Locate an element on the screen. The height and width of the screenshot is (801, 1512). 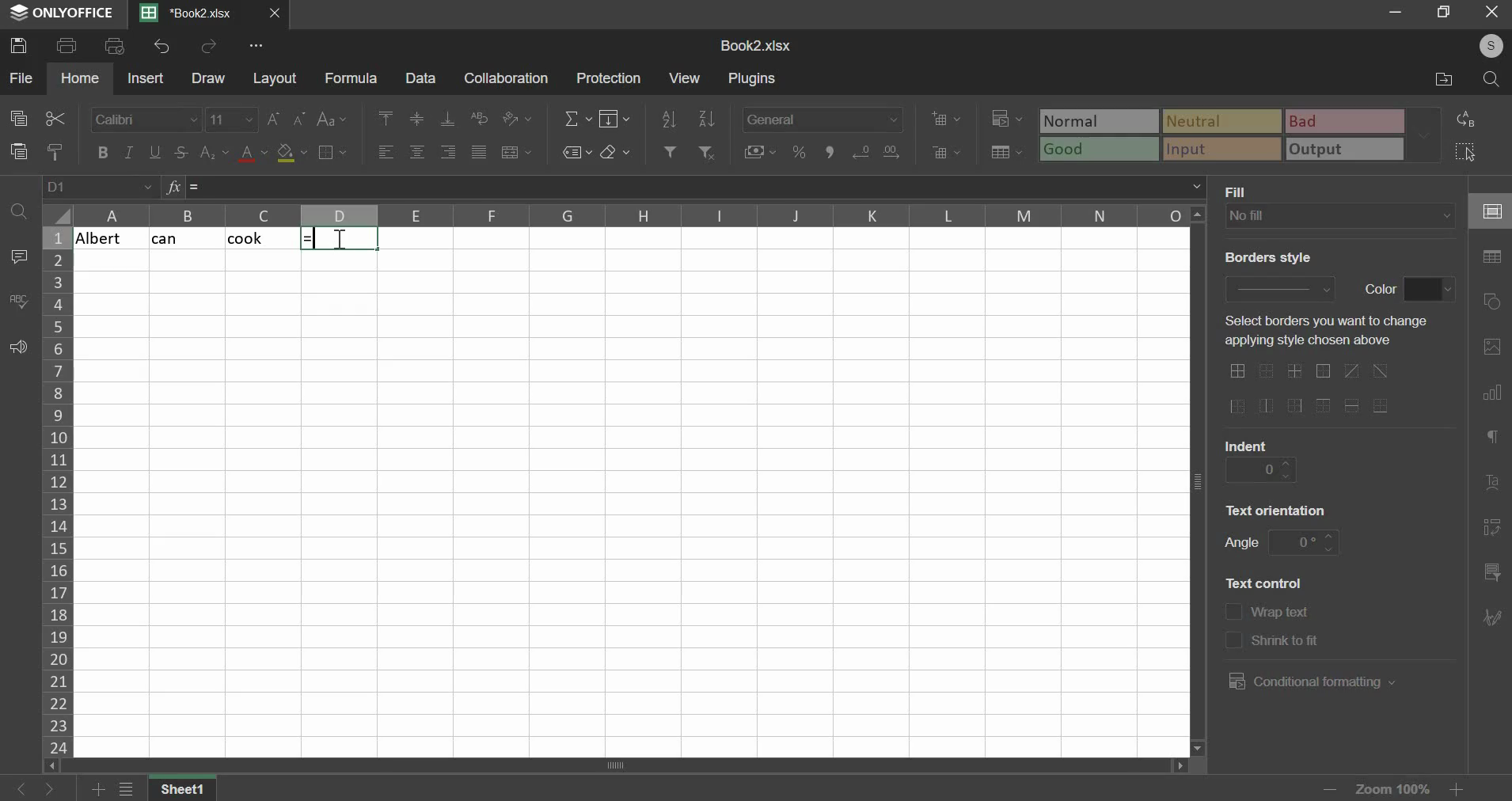
draw is located at coordinates (209, 79).